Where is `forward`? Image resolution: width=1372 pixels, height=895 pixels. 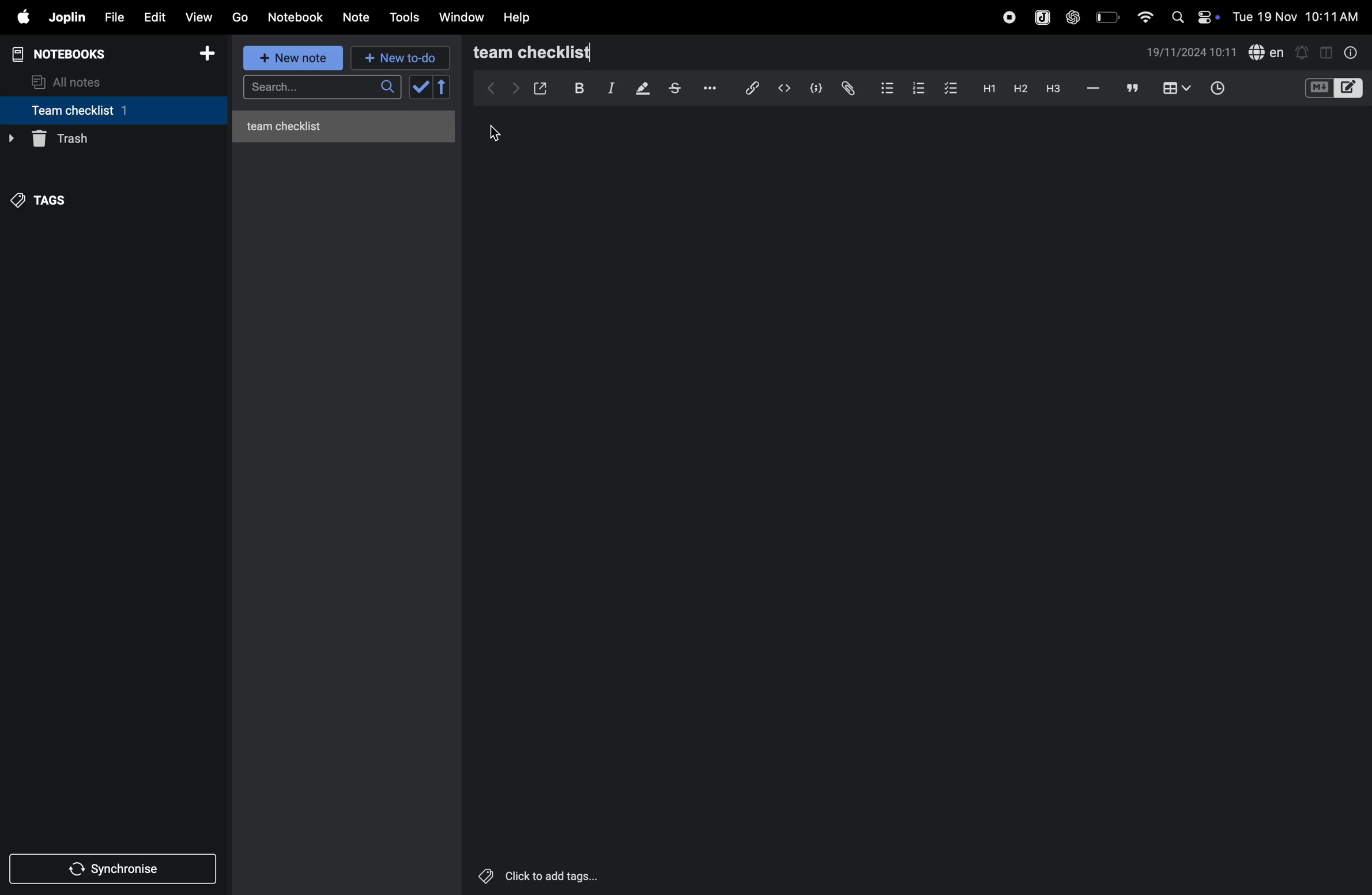 forward is located at coordinates (512, 88).